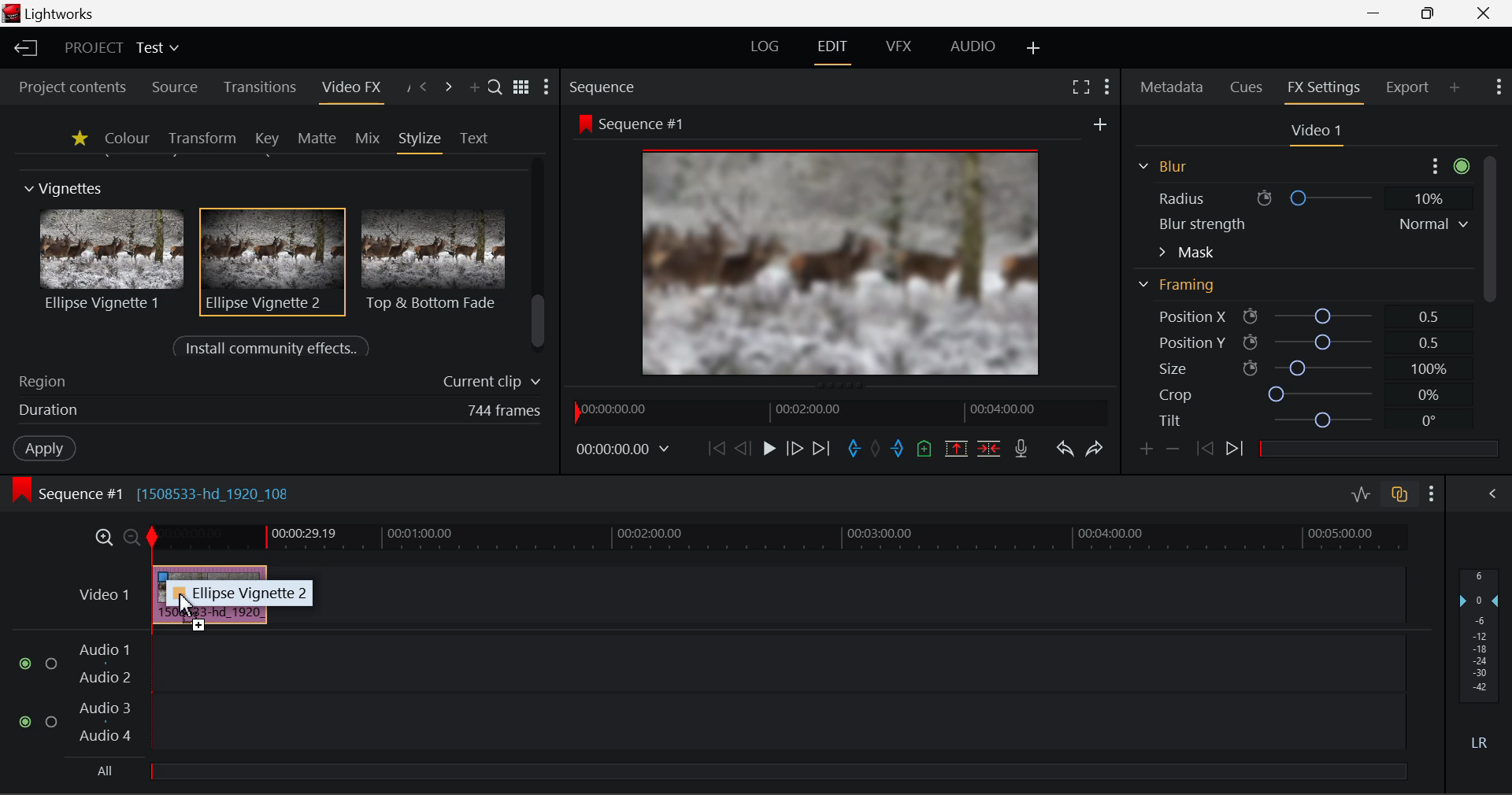  What do you see at coordinates (899, 49) in the screenshot?
I see `VFX Layout` at bounding box center [899, 49].